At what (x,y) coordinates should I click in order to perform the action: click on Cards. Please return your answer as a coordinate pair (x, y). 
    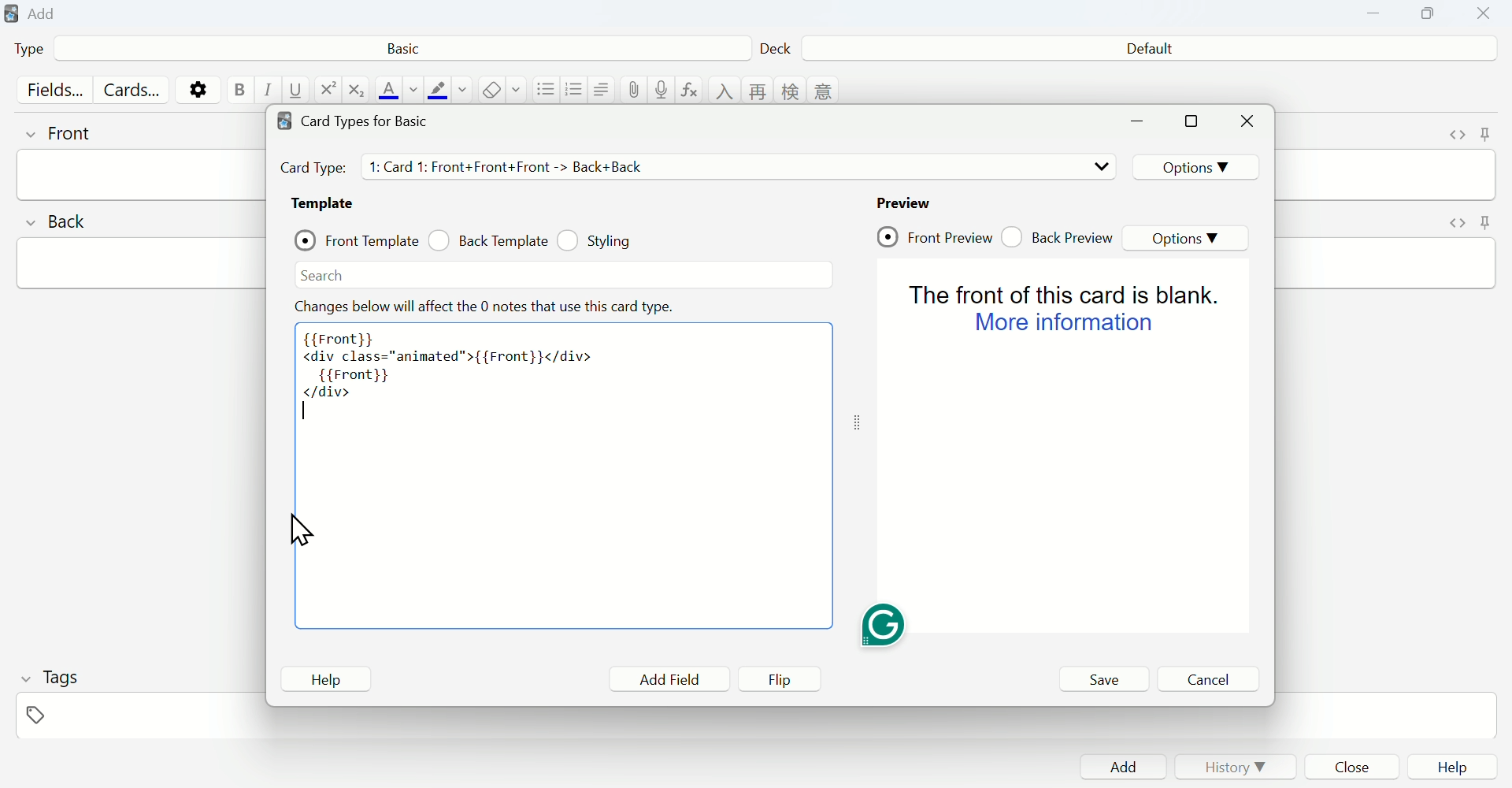
    Looking at the image, I should click on (132, 90).